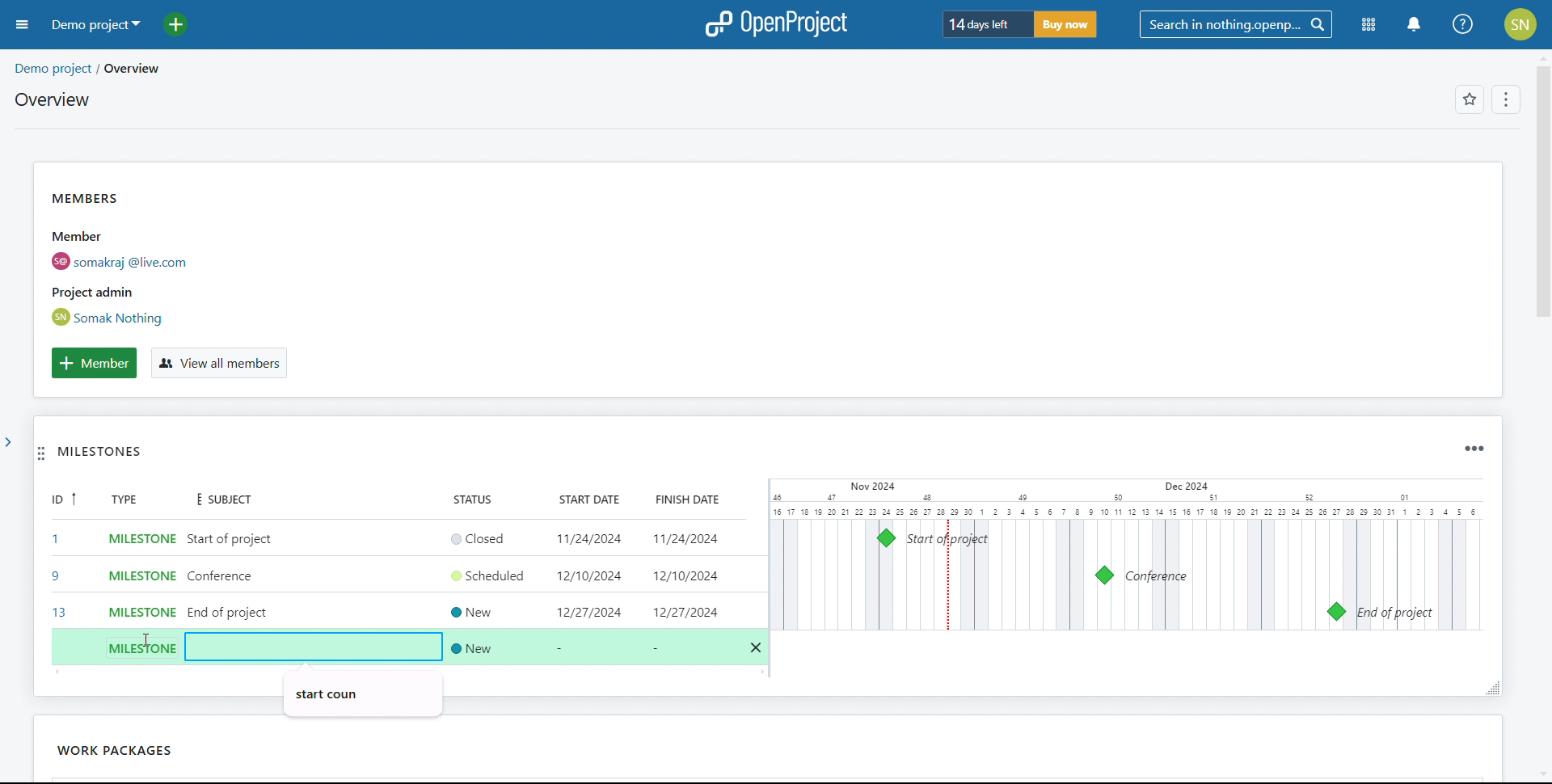  What do you see at coordinates (134, 573) in the screenshot?
I see `set type` at bounding box center [134, 573].